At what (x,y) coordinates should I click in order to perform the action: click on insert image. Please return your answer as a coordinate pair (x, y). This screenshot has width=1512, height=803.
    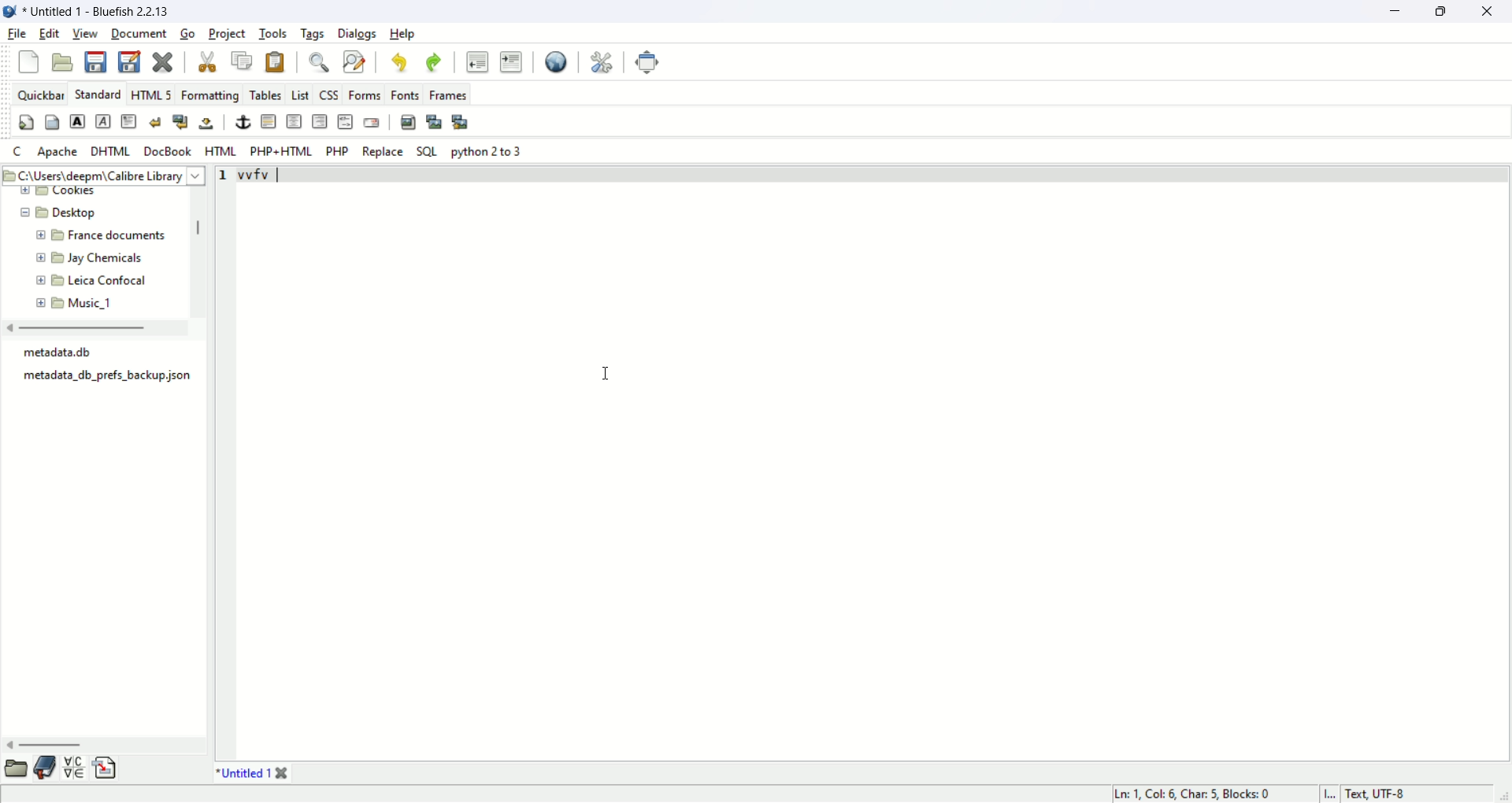
    Looking at the image, I should click on (409, 121).